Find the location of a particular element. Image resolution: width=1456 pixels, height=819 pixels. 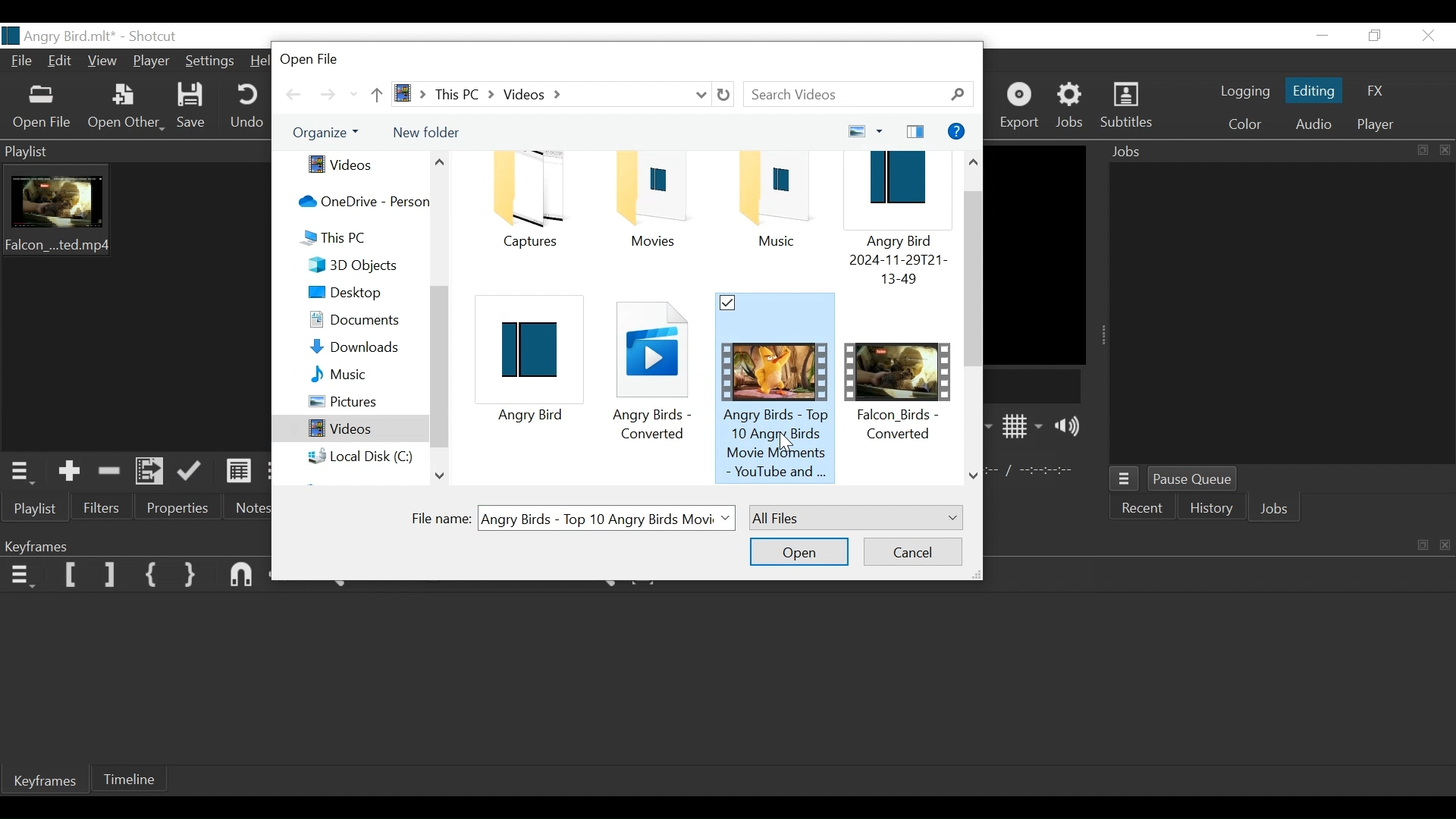

Refresh is located at coordinates (723, 94).